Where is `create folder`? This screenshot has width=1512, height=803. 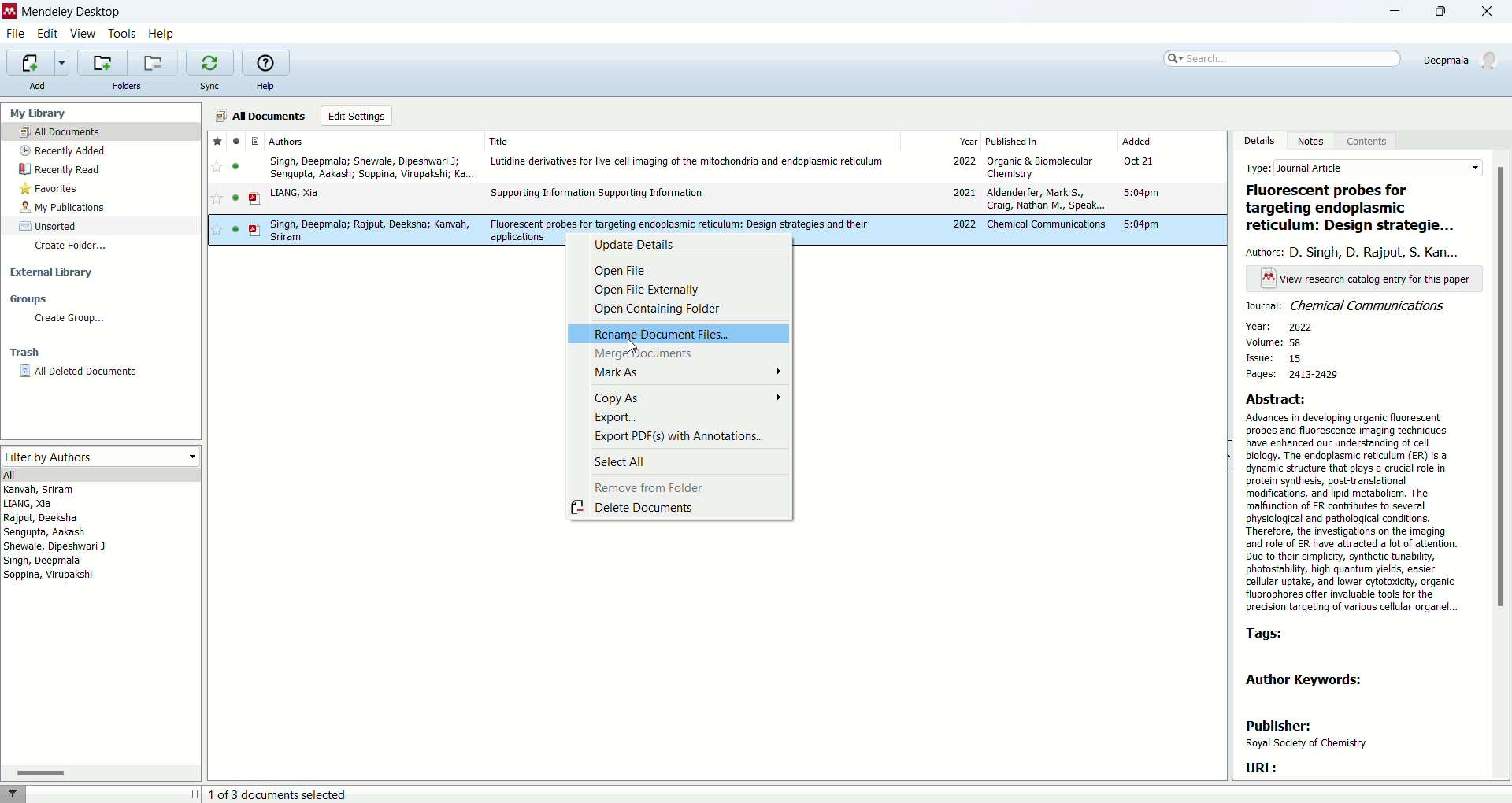
create folder is located at coordinates (72, 250).